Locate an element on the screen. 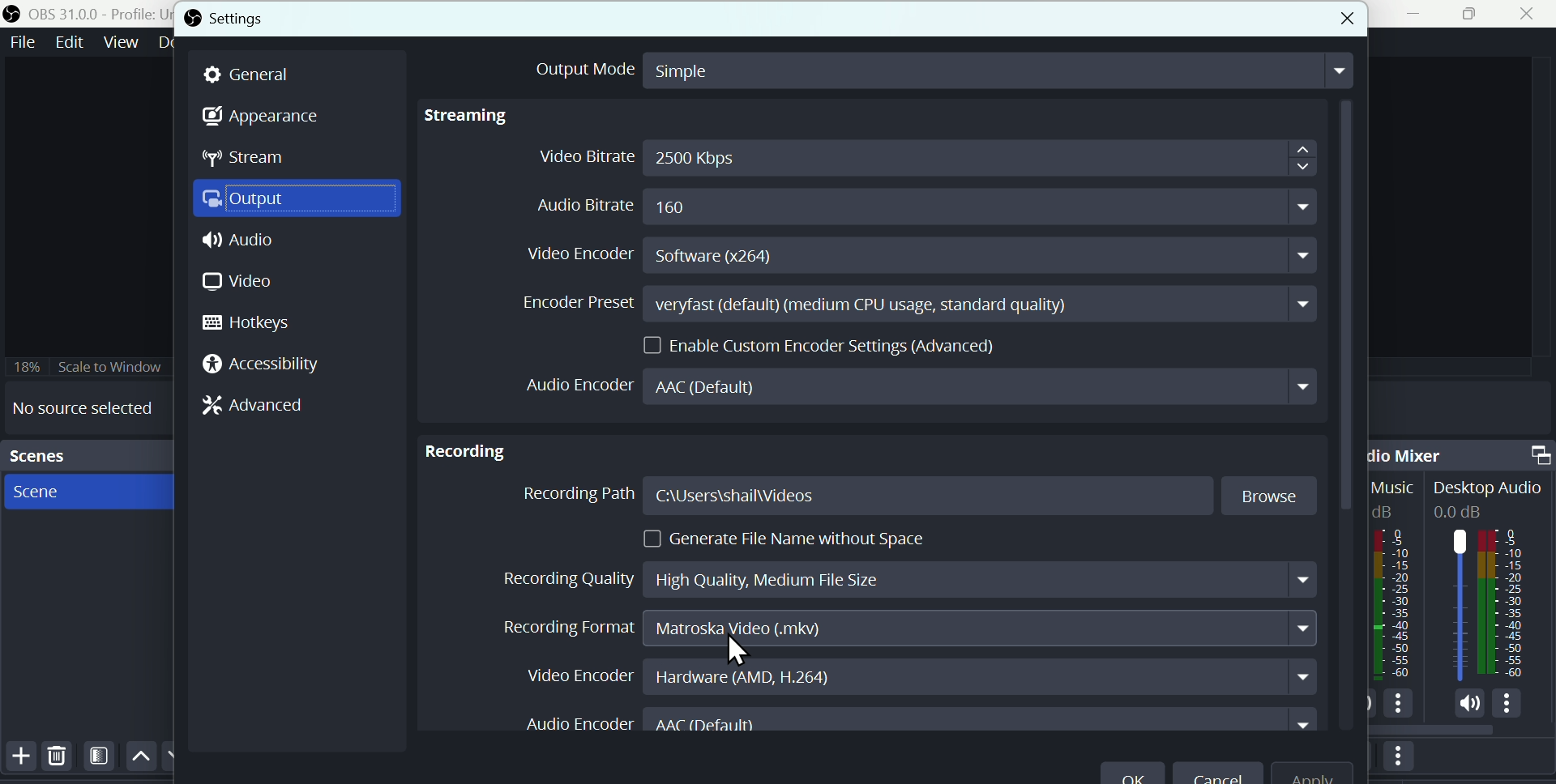 This screenshot has width=1556, height=784. close is located at coordinates (1343, 15).